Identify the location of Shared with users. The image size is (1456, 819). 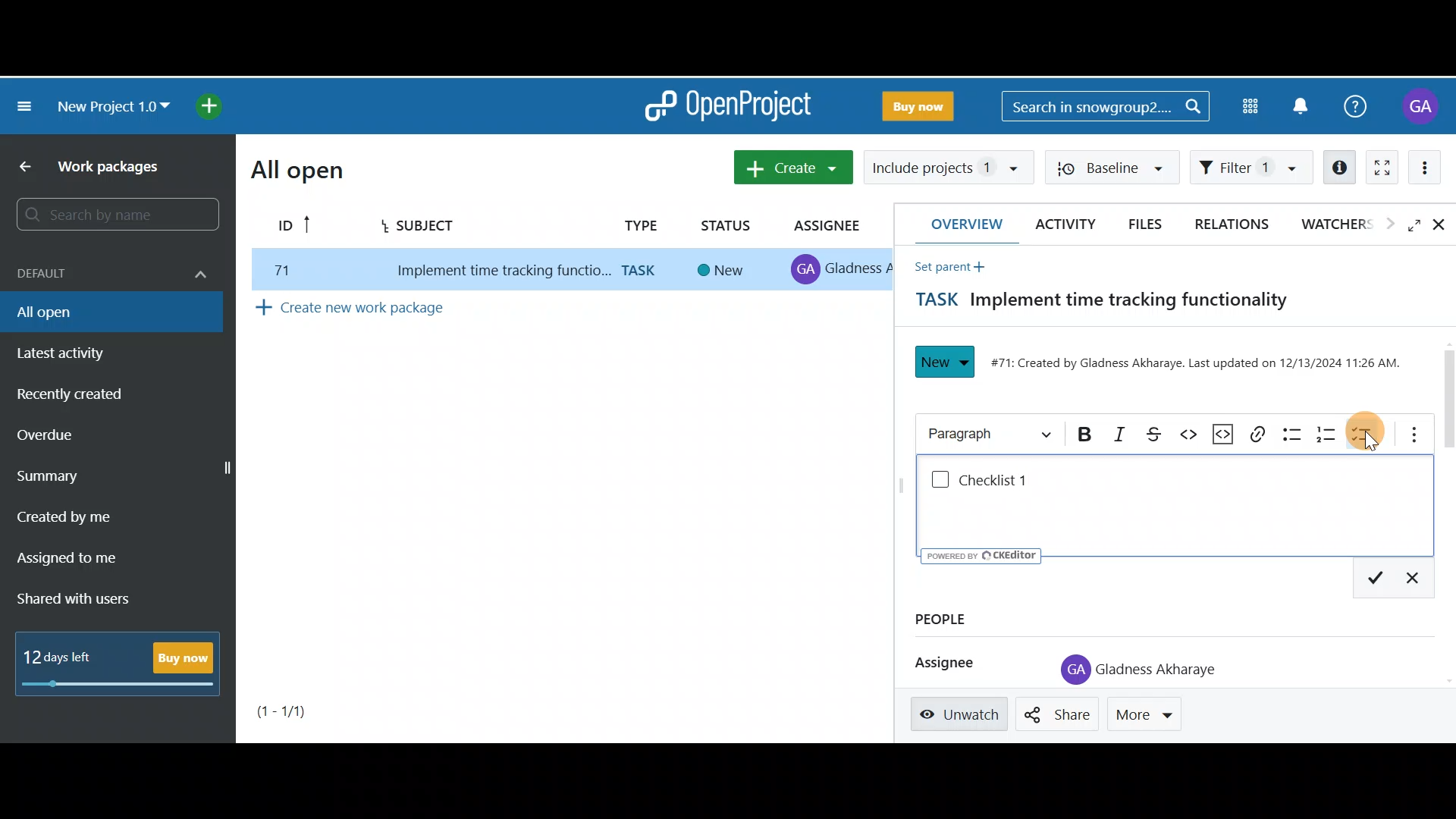
(82, 598).